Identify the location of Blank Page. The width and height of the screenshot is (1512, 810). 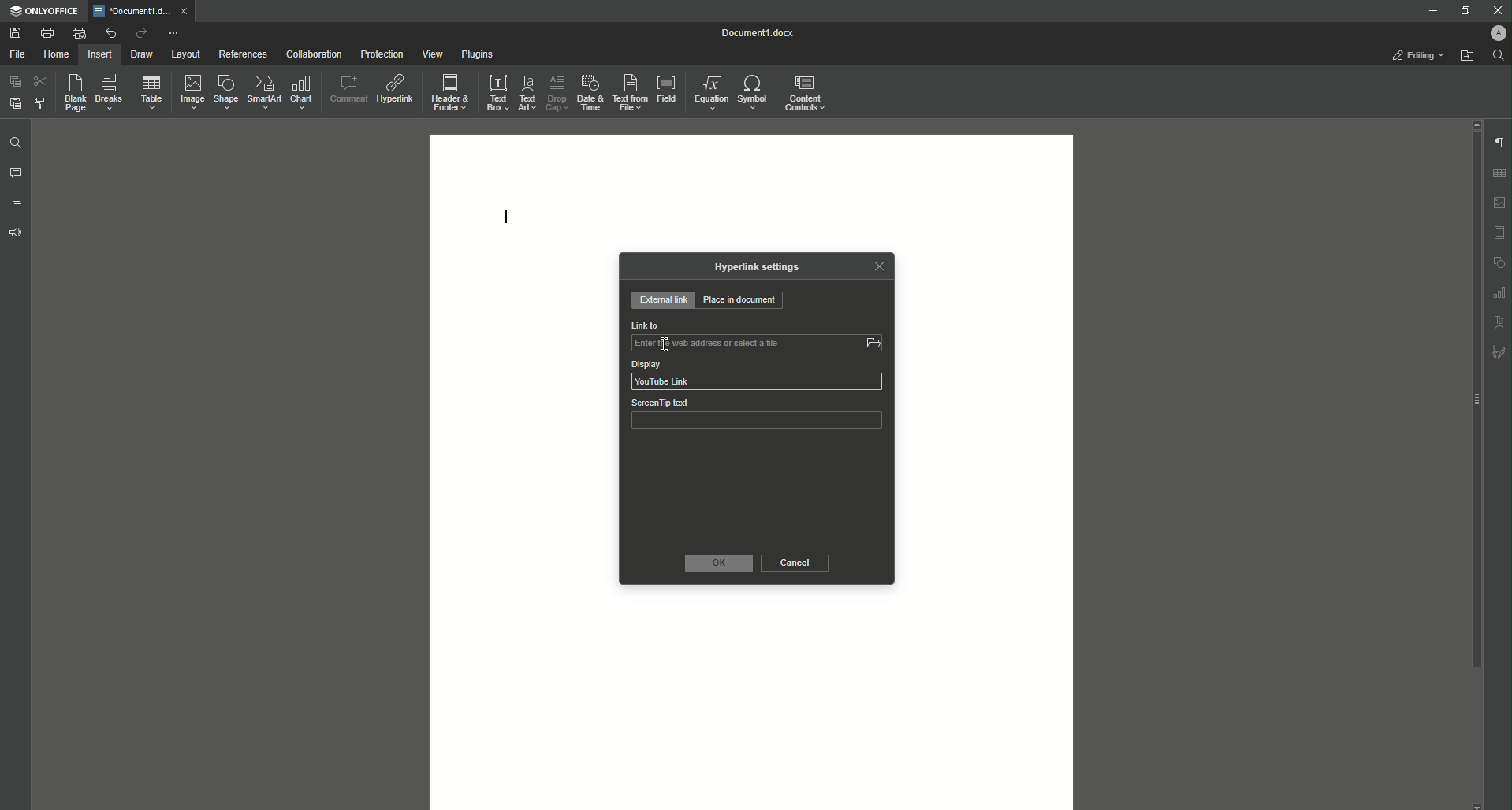
(74, 92).